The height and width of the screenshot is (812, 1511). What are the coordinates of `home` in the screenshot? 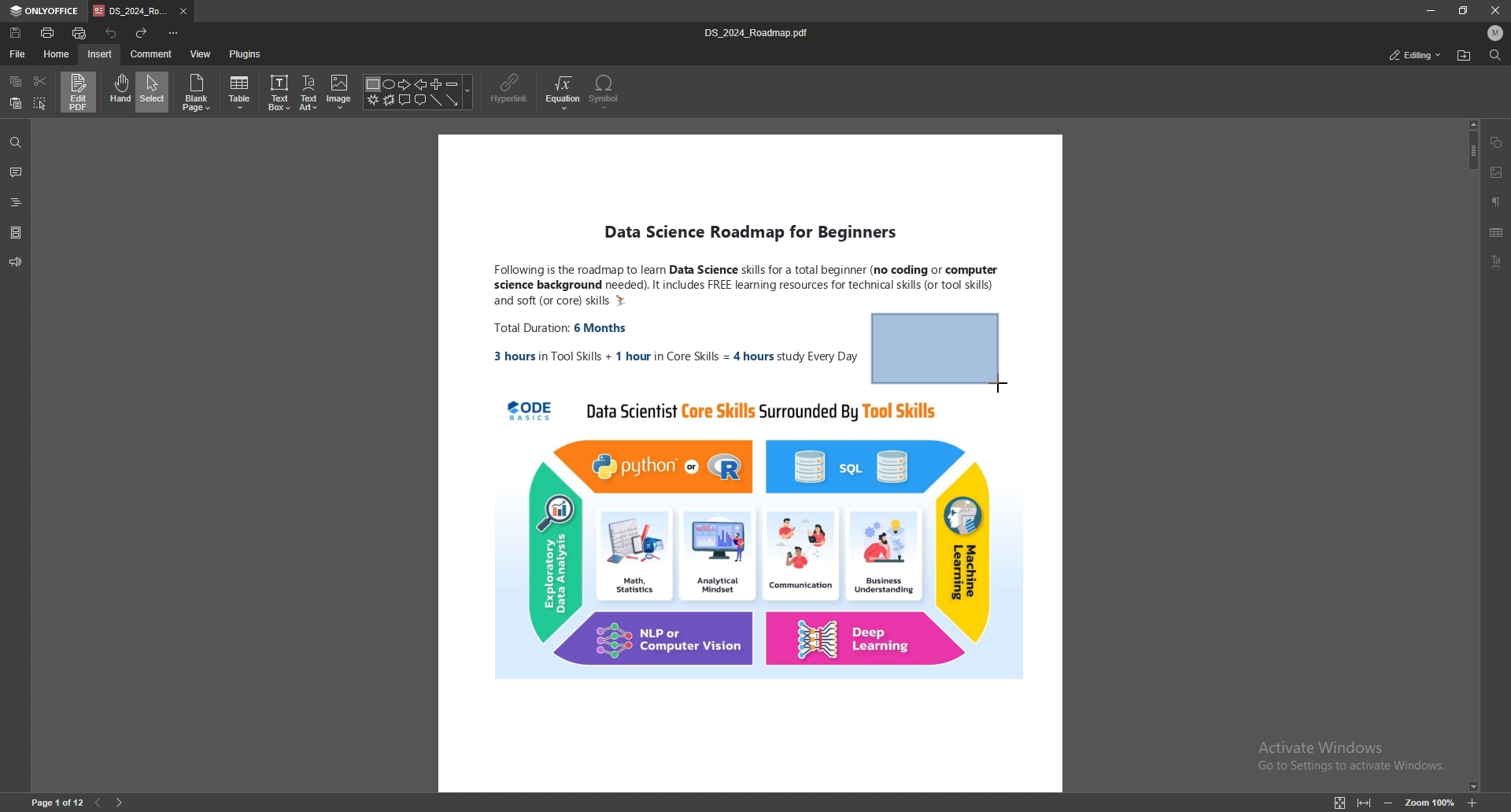 It's located at (57, 54).